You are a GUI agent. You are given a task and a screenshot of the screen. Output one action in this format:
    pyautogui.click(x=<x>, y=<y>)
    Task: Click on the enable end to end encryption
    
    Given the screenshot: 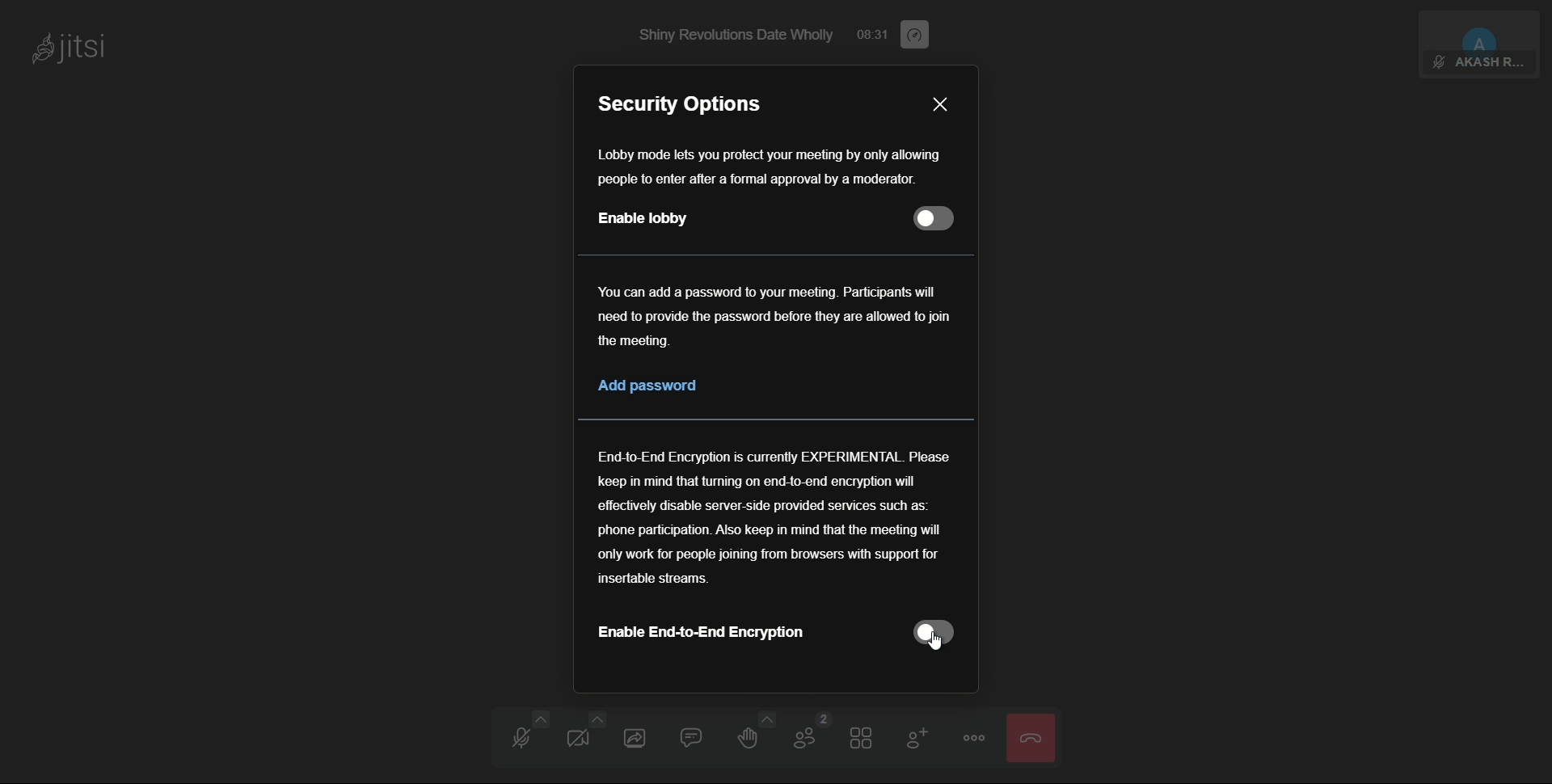 What is the action you would take?
    pyautogui.click(x=700, y=633)
    